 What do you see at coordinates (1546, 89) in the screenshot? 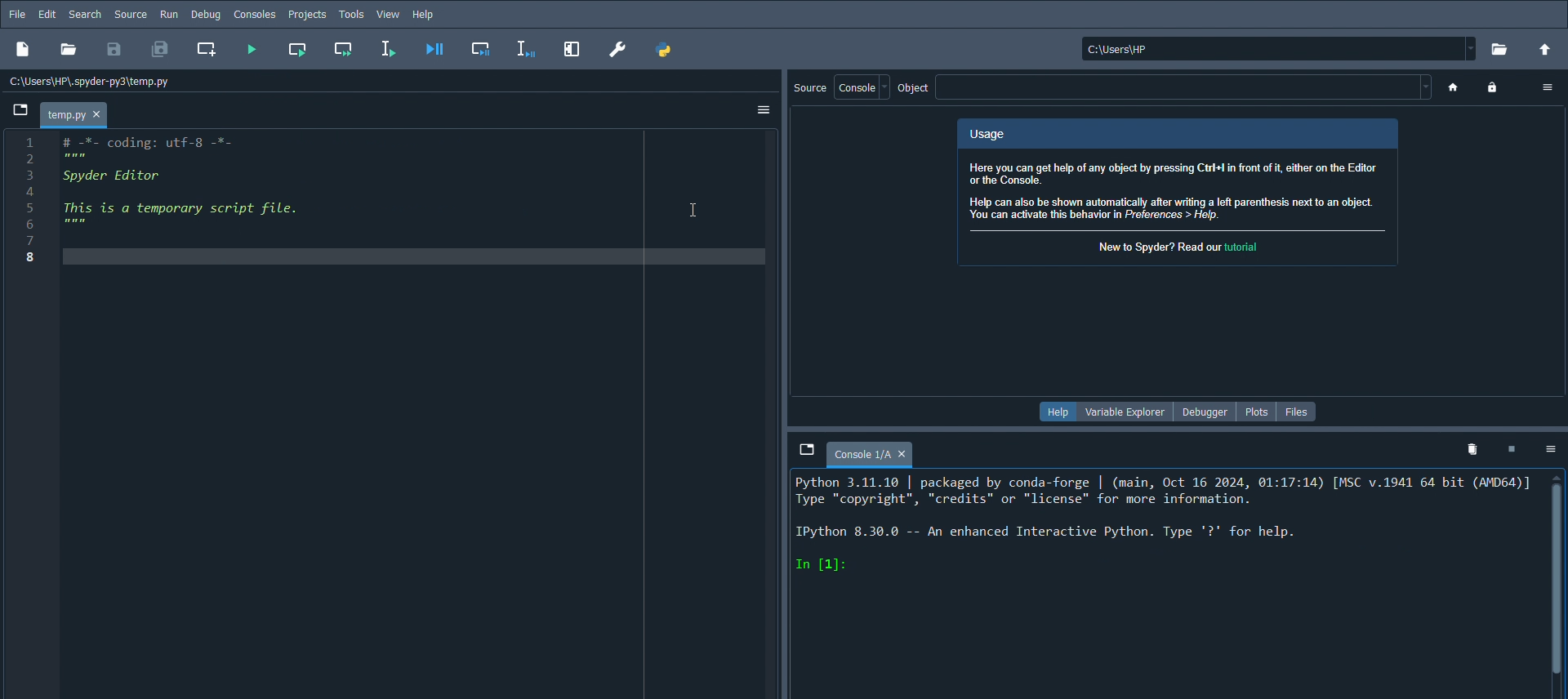
I see `Options` at bounding box center [1546, 89].